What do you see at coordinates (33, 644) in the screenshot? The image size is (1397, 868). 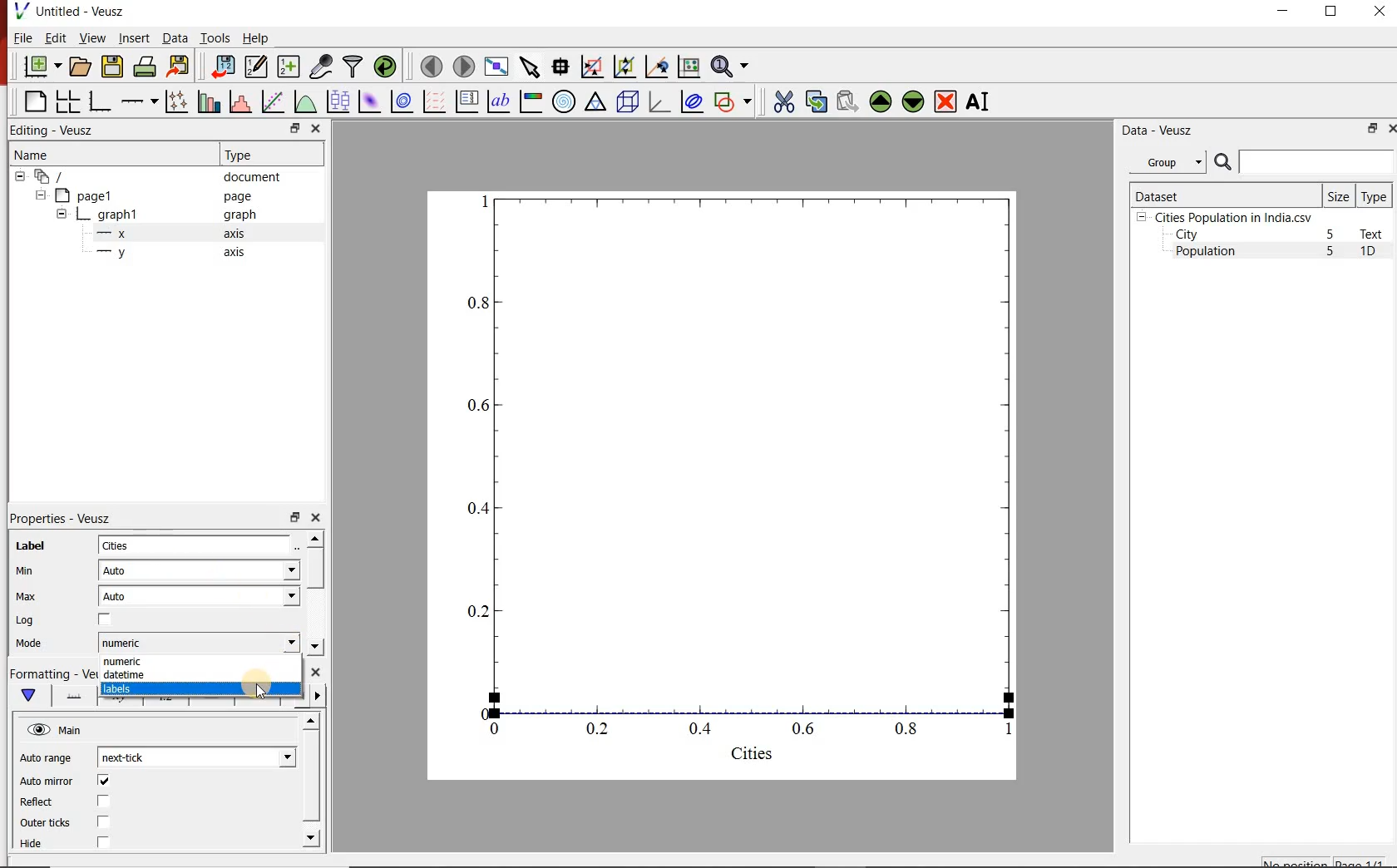 I see `Mode` at bounding box center [33, 644].